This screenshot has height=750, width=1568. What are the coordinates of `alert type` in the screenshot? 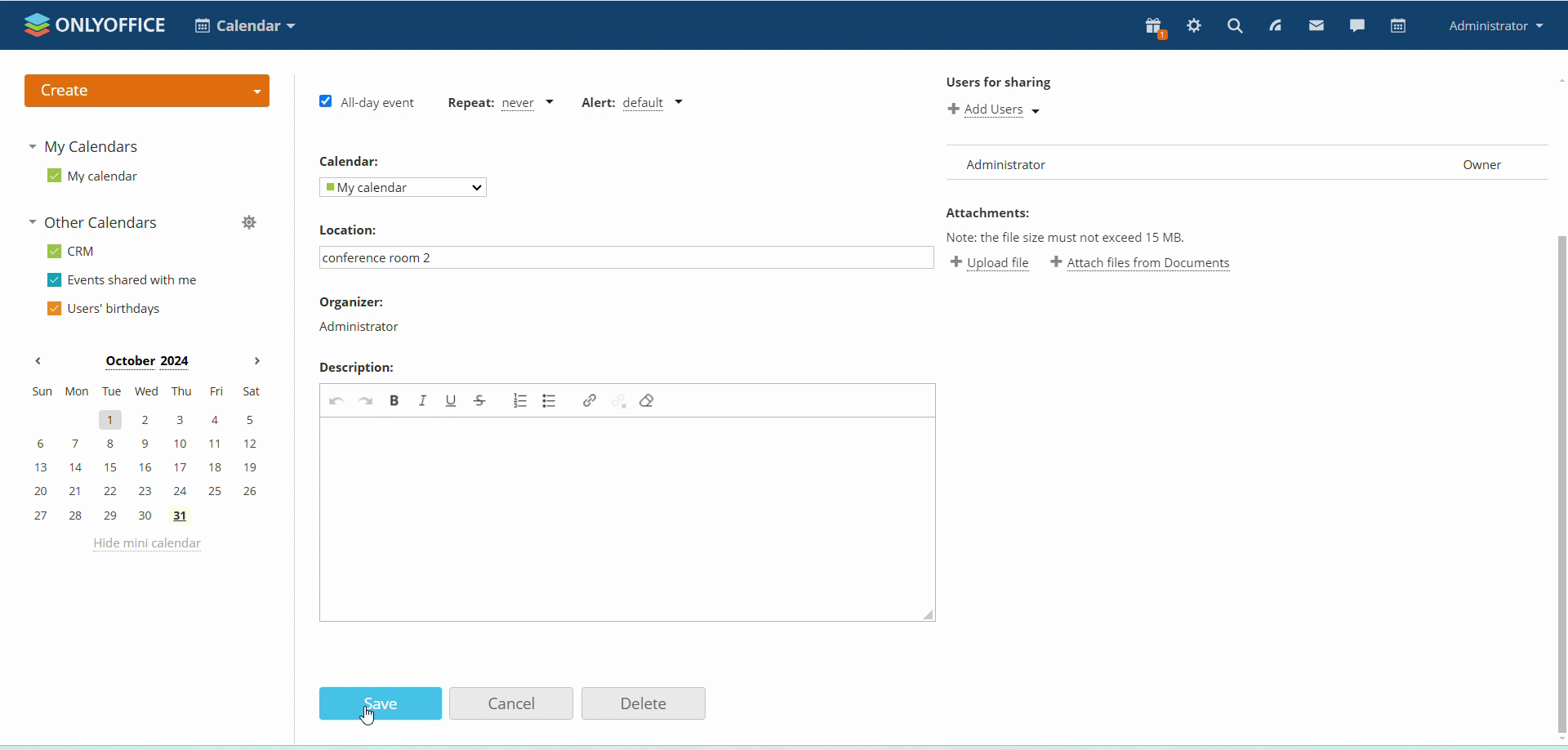 It's located at (630, 103).